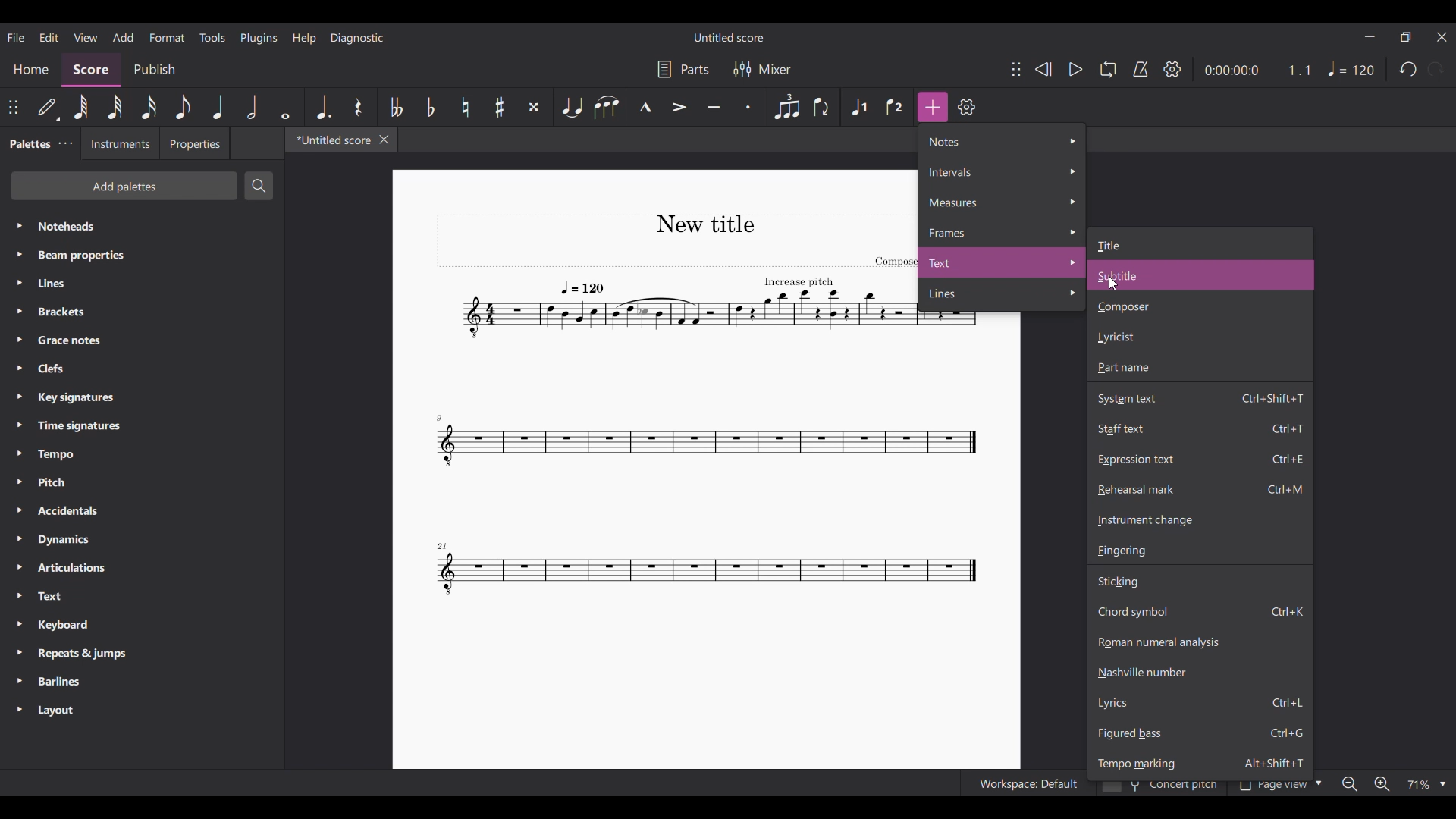 The height and width of the screenshot is (819, 1456). Describe the element at coordinates (1382, 783) in the screenshot. I see `Zoom in` at that location.